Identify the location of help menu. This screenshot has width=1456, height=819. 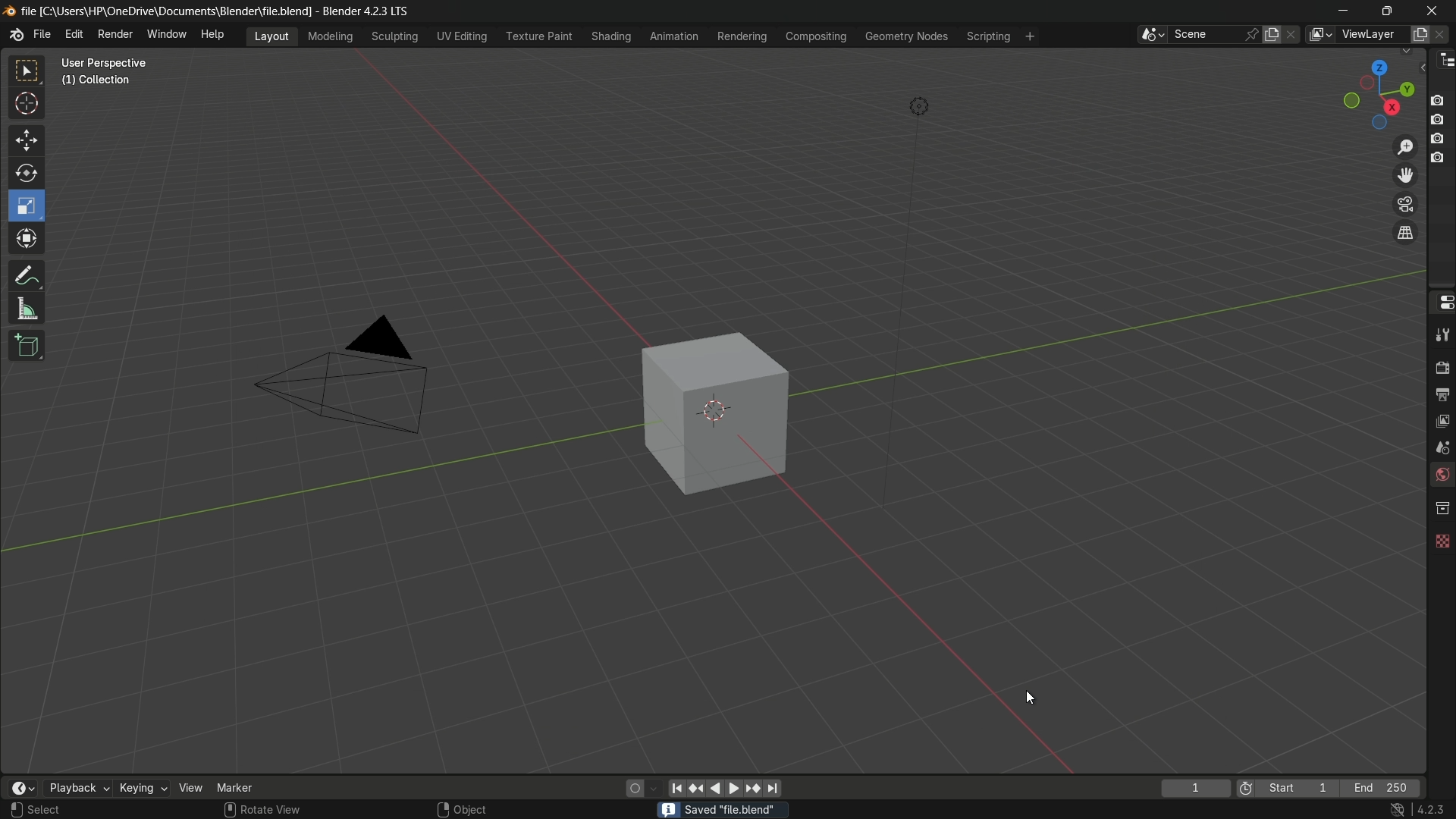
(216, 34).